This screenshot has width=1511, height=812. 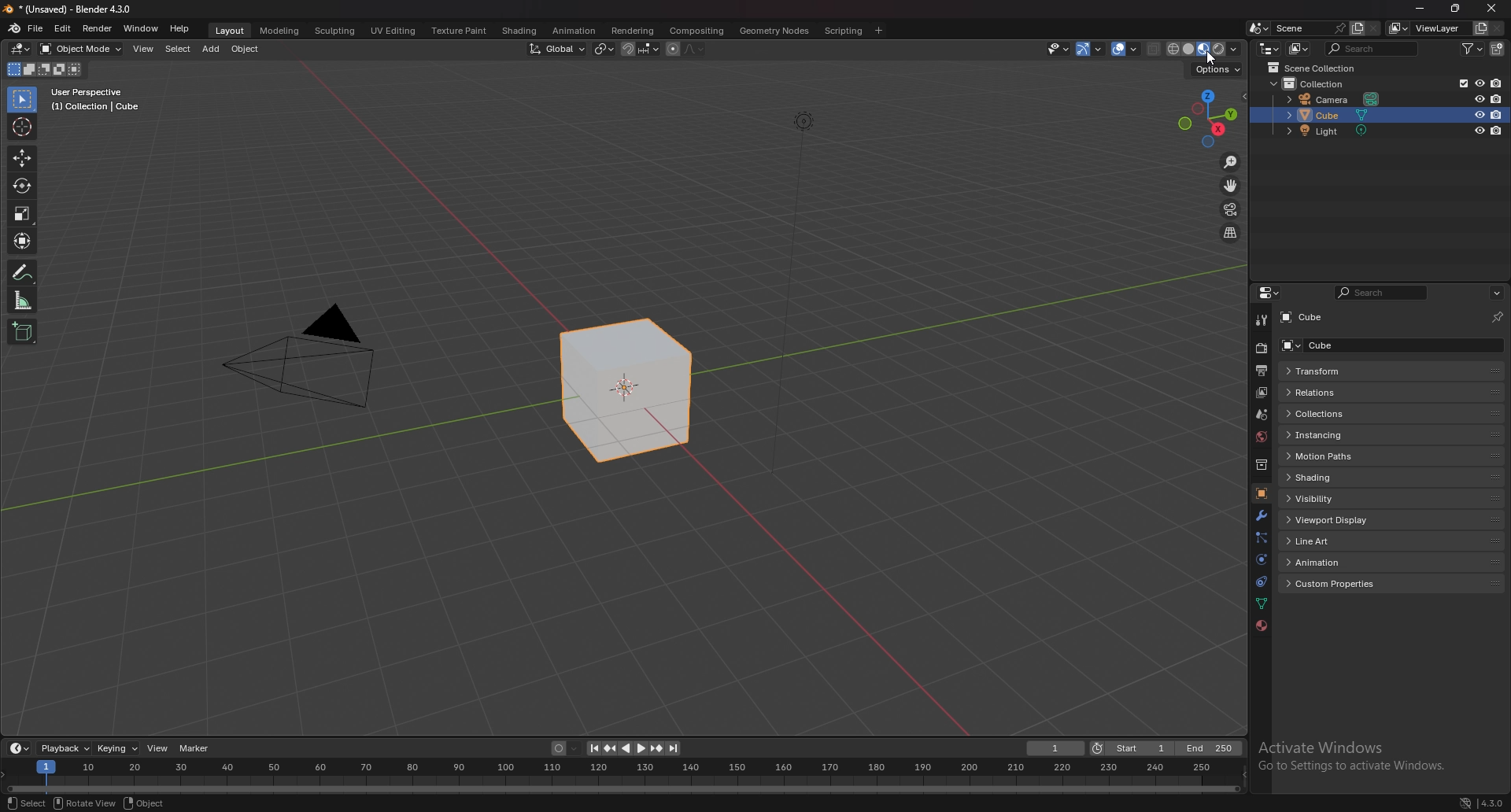 I want to click on selector, so click(x=22, y=101).